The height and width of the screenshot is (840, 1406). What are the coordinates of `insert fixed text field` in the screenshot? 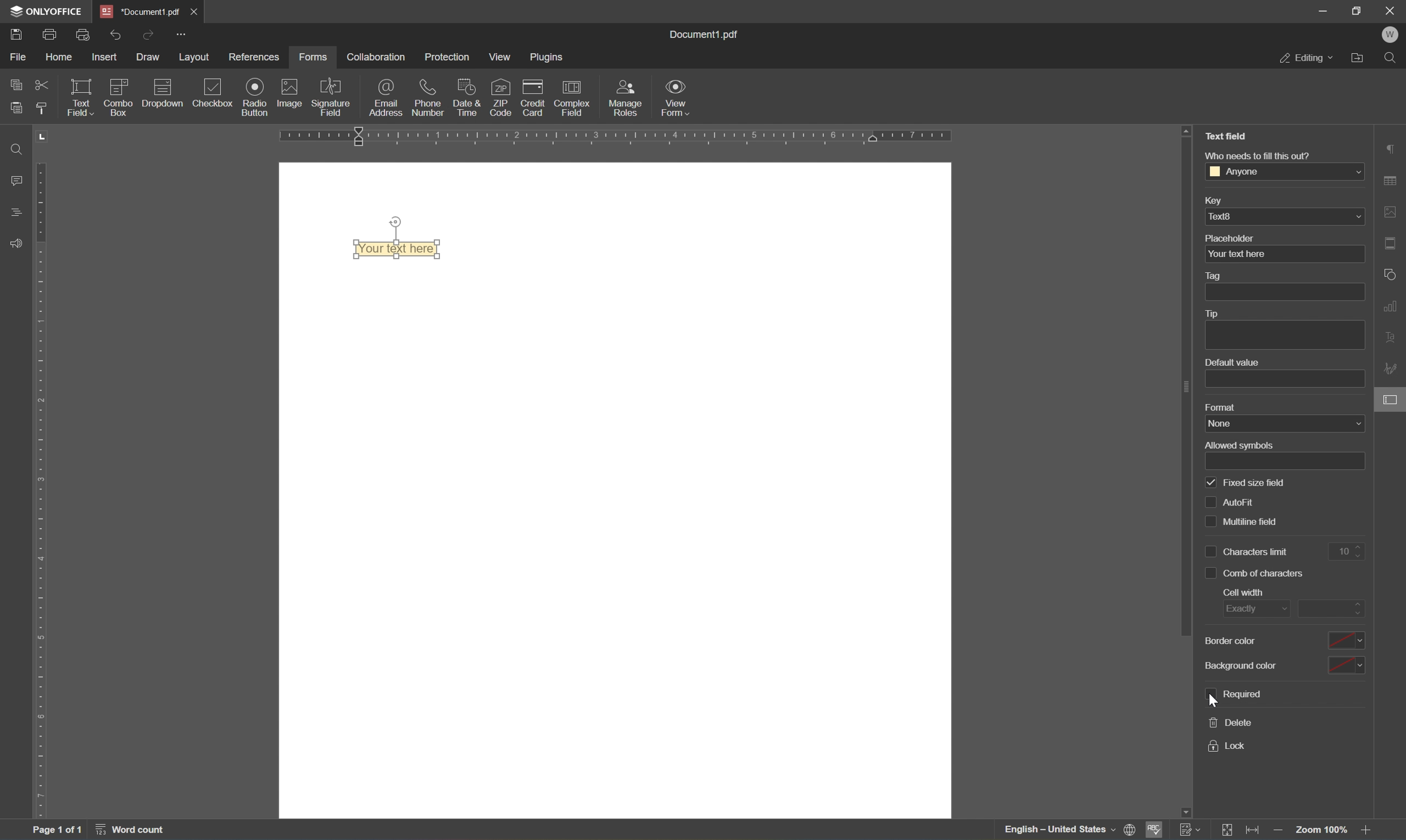 It's located at (149, 102).